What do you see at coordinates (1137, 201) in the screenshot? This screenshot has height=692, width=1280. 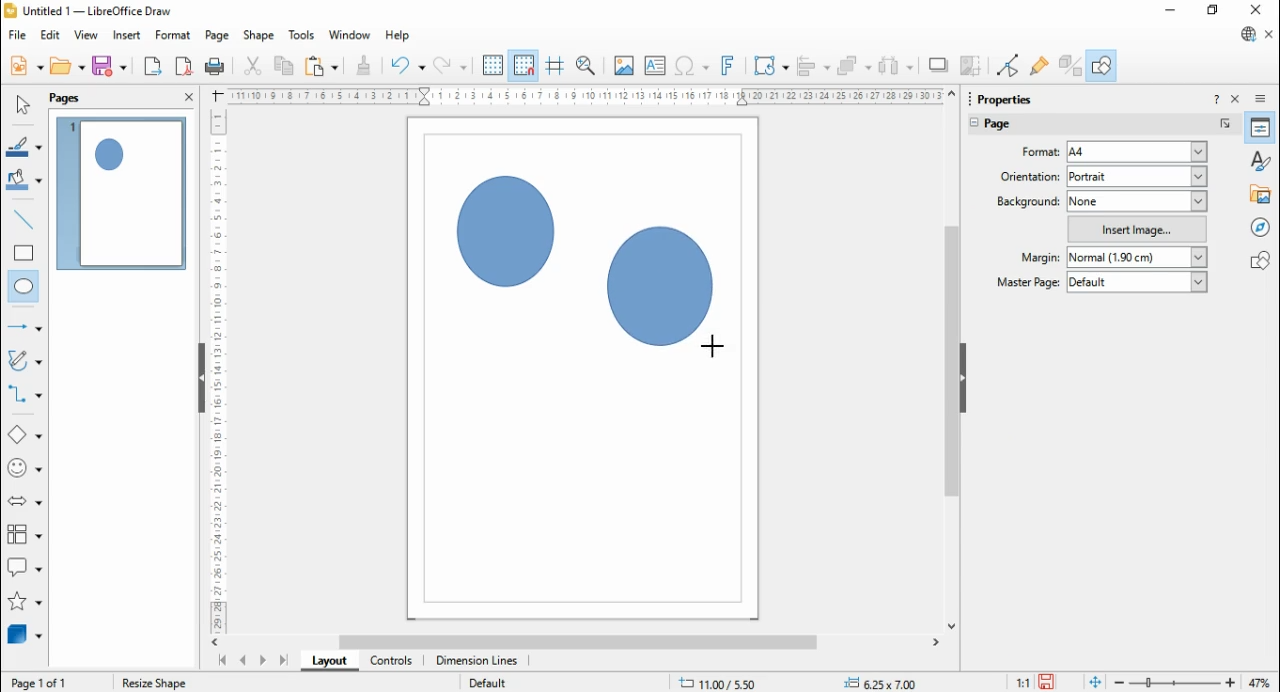 I see `none` at bounding box center [1137, 201].